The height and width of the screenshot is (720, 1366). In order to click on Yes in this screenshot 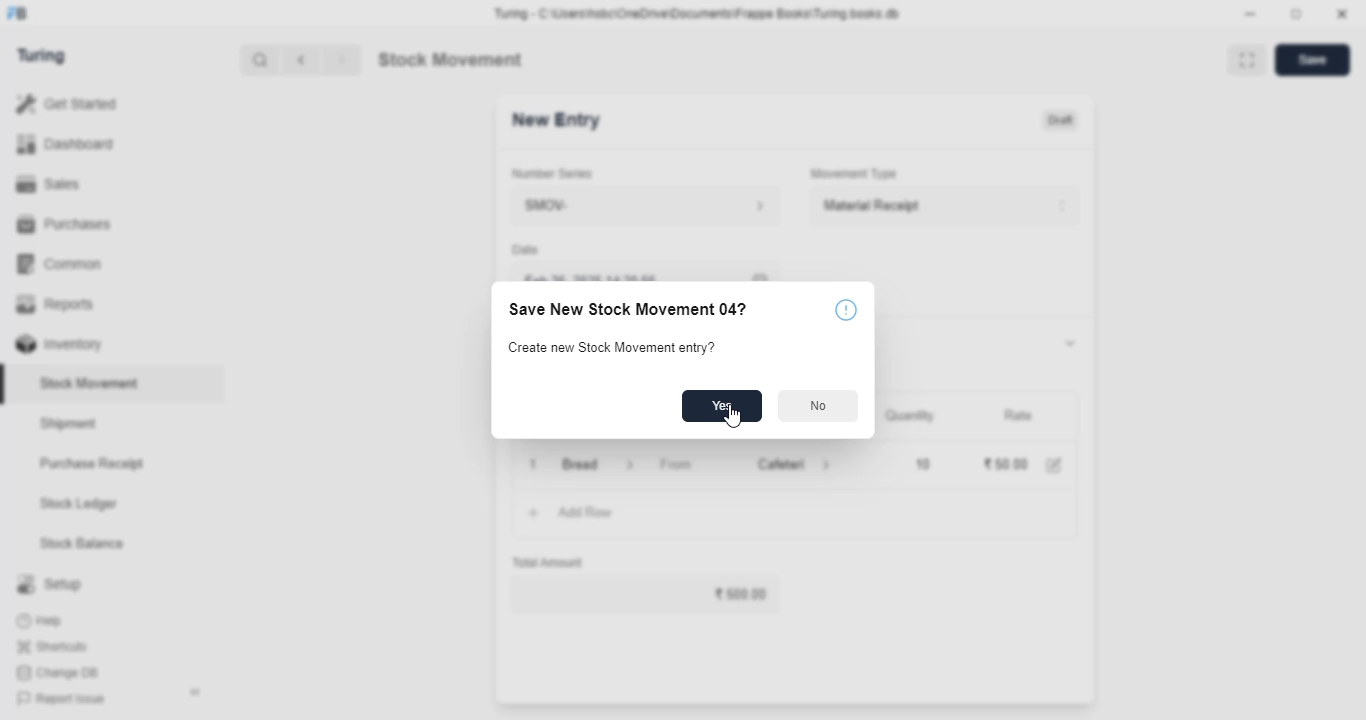, I will do `click(723, 406)`.